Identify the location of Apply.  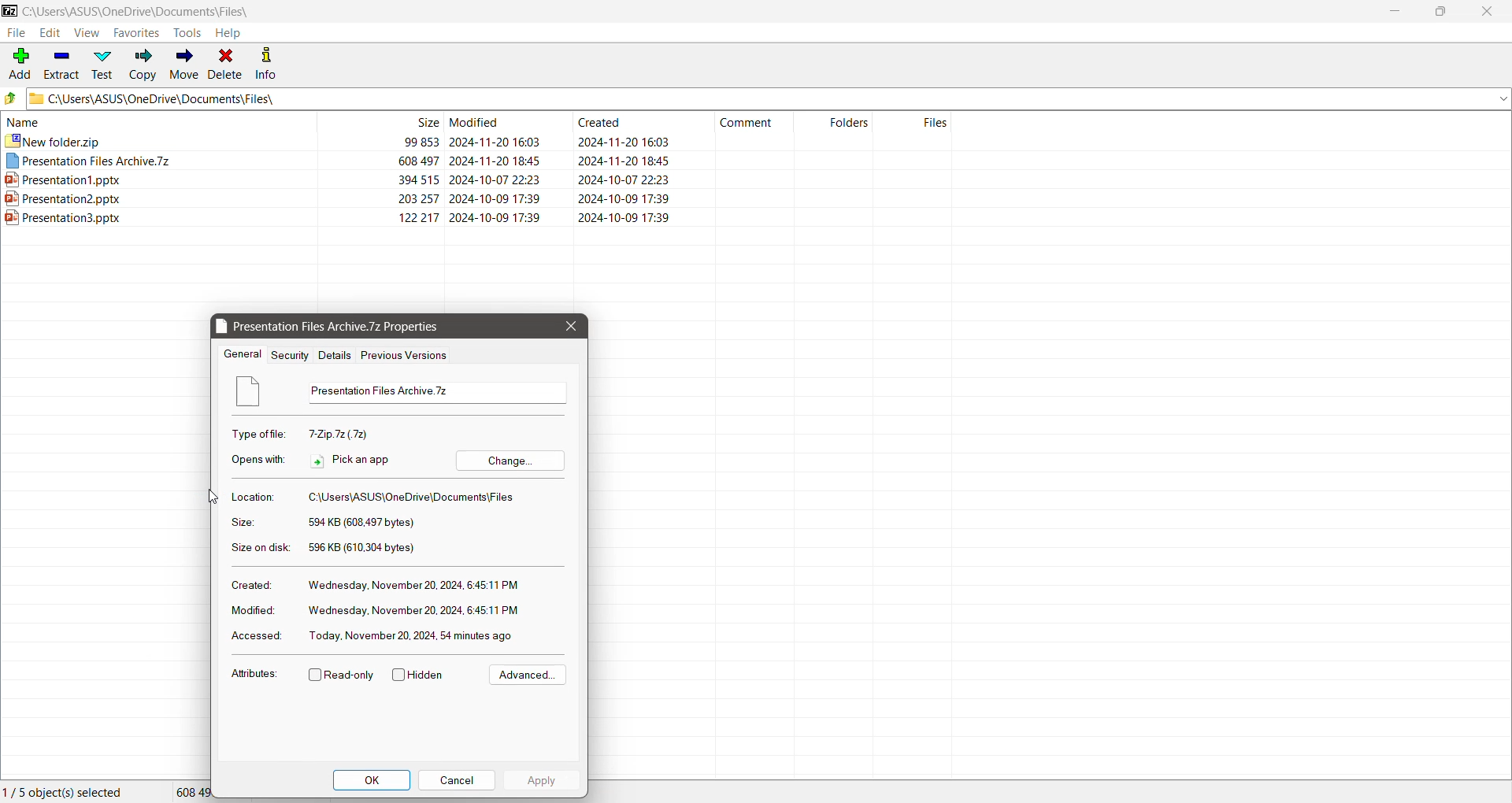
(542, 778).